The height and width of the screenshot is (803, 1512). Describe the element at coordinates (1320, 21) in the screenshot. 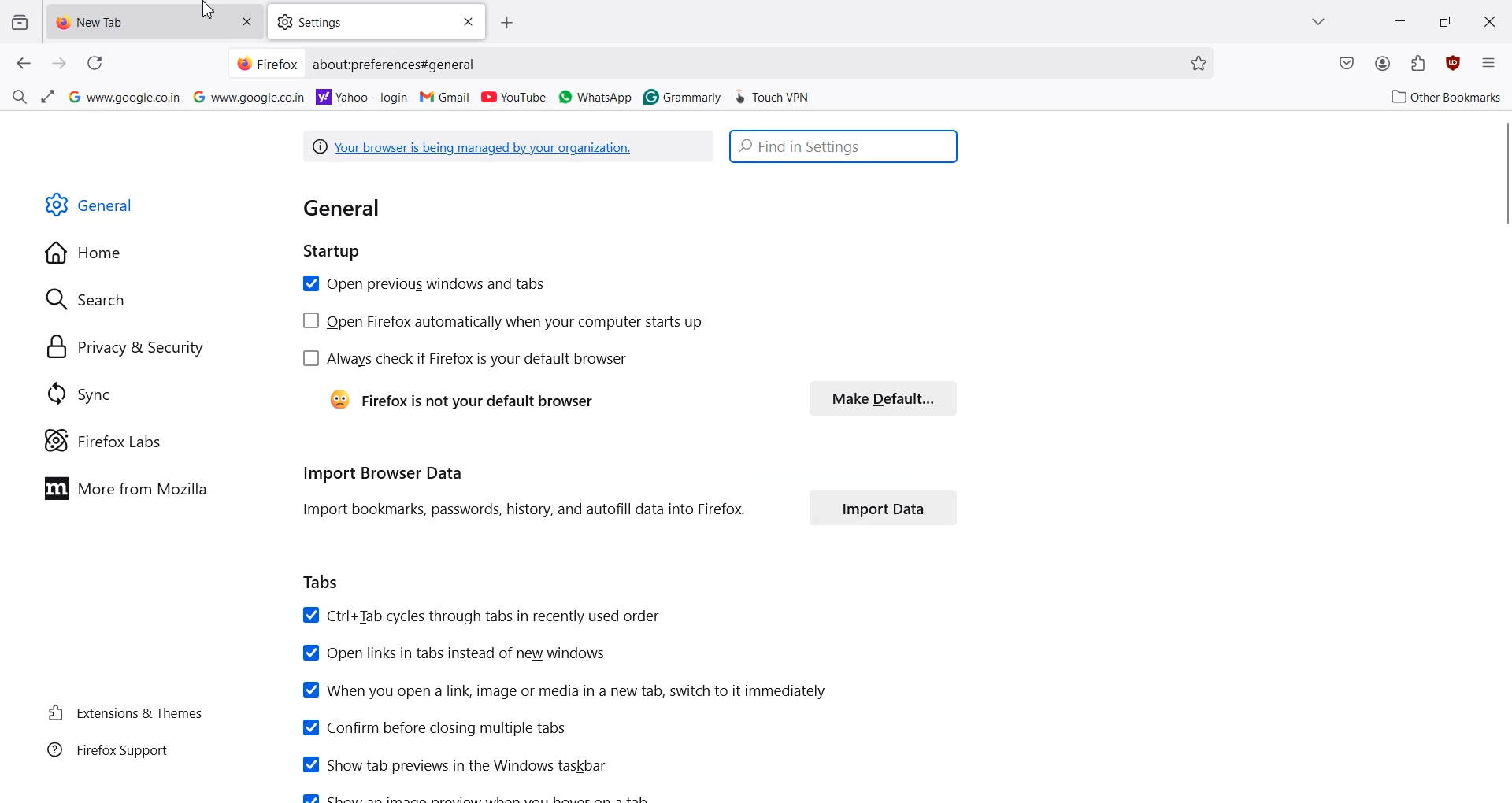

I see `List all tab` at that location.